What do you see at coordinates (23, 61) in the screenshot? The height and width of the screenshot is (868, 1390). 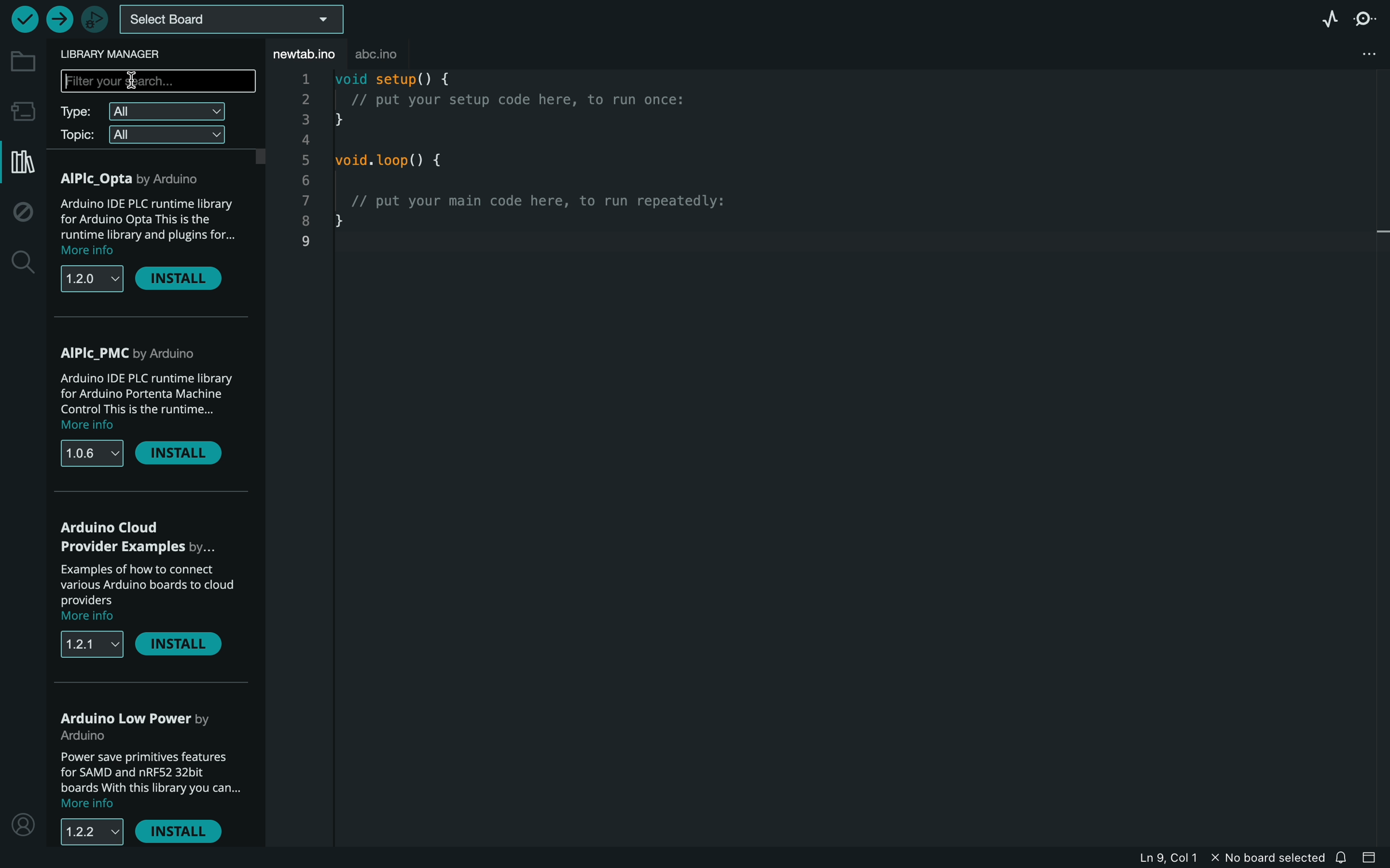 I see `folder` at bounding box center [23, 61].